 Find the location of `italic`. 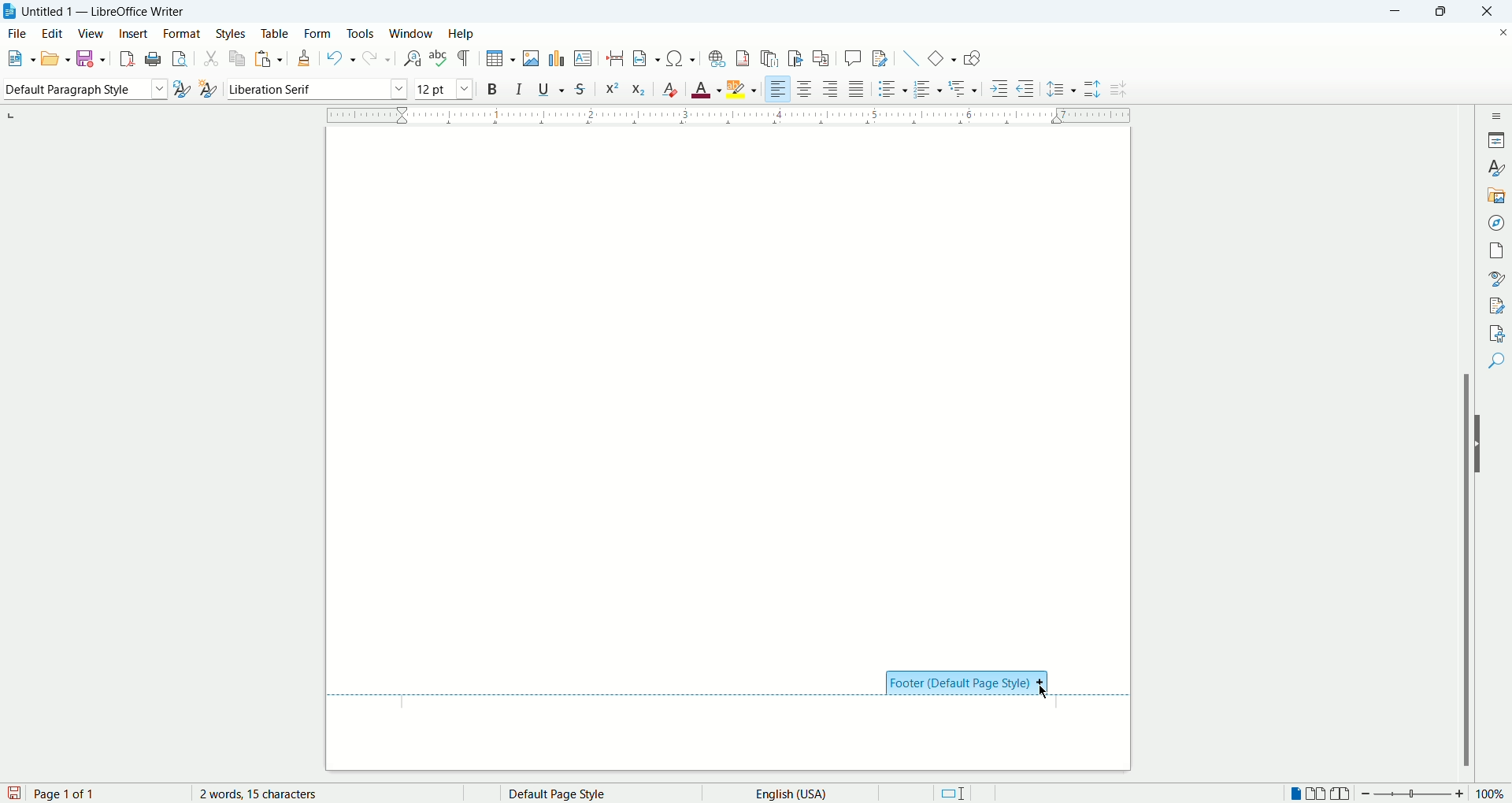

italic is located at coordinates (520, 88).